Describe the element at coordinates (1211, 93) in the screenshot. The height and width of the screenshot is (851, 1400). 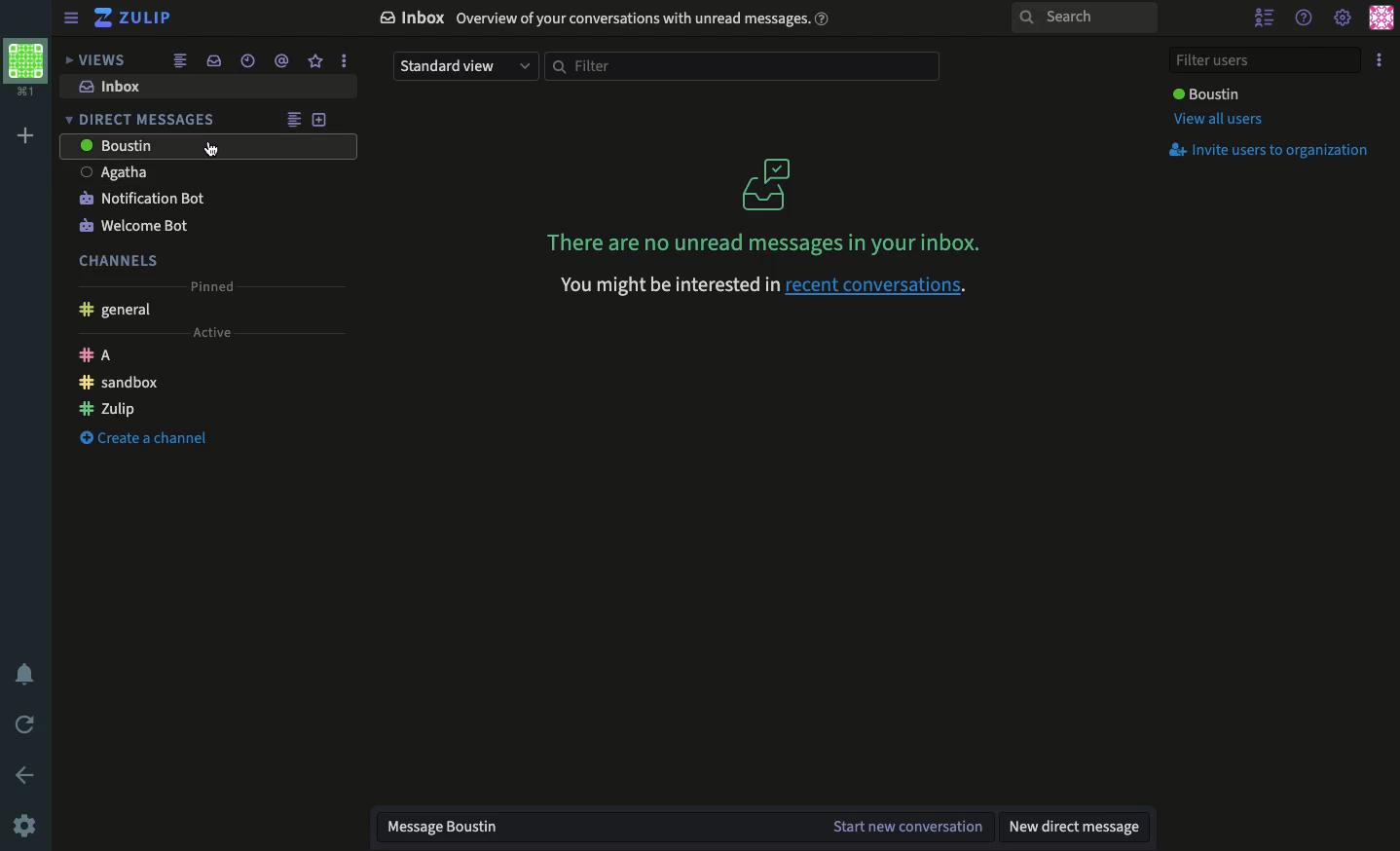
I see `User` at that location.